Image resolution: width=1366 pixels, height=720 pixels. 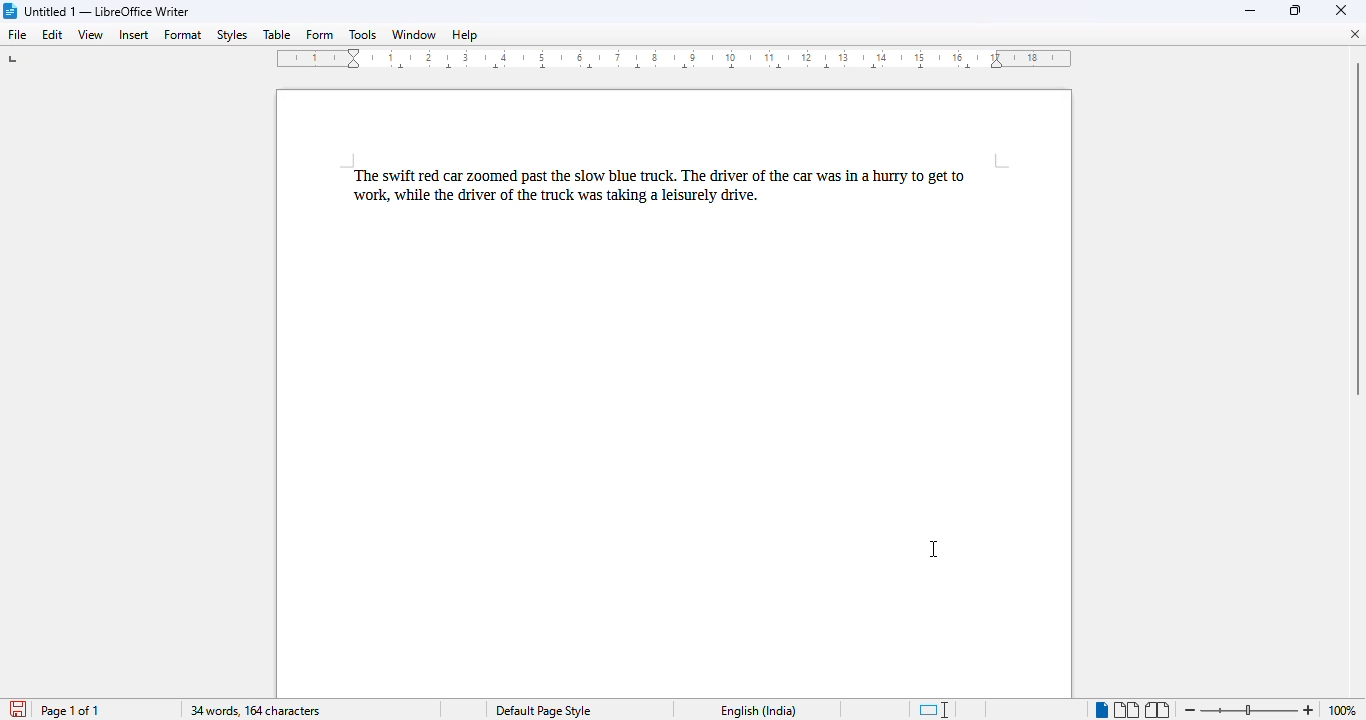 What do you see at coordinates (1309, 709) in the screenshot?
I see `zoom in` at bounding box center [1309, 709].